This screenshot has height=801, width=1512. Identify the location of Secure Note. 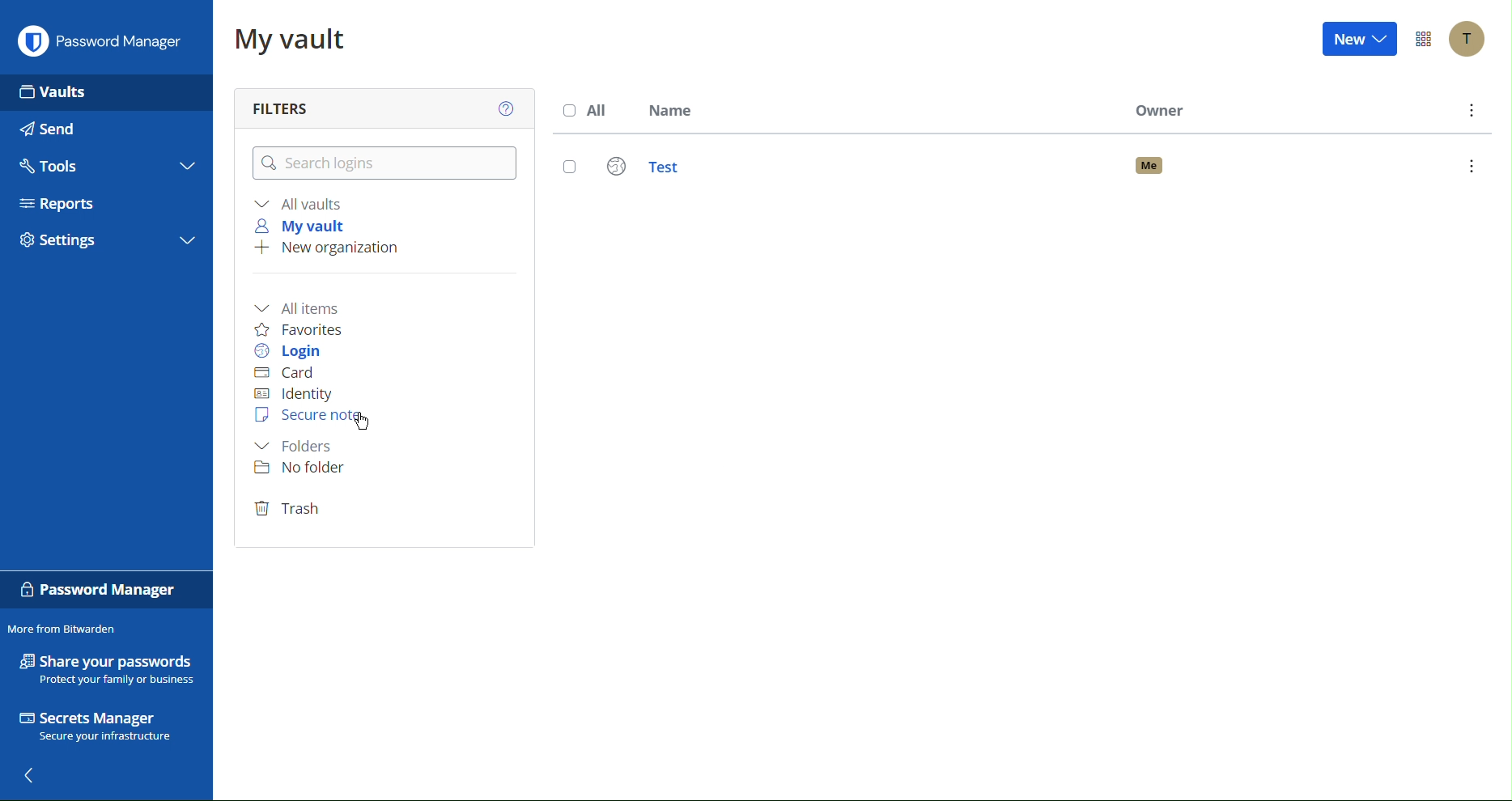
(306, 418).